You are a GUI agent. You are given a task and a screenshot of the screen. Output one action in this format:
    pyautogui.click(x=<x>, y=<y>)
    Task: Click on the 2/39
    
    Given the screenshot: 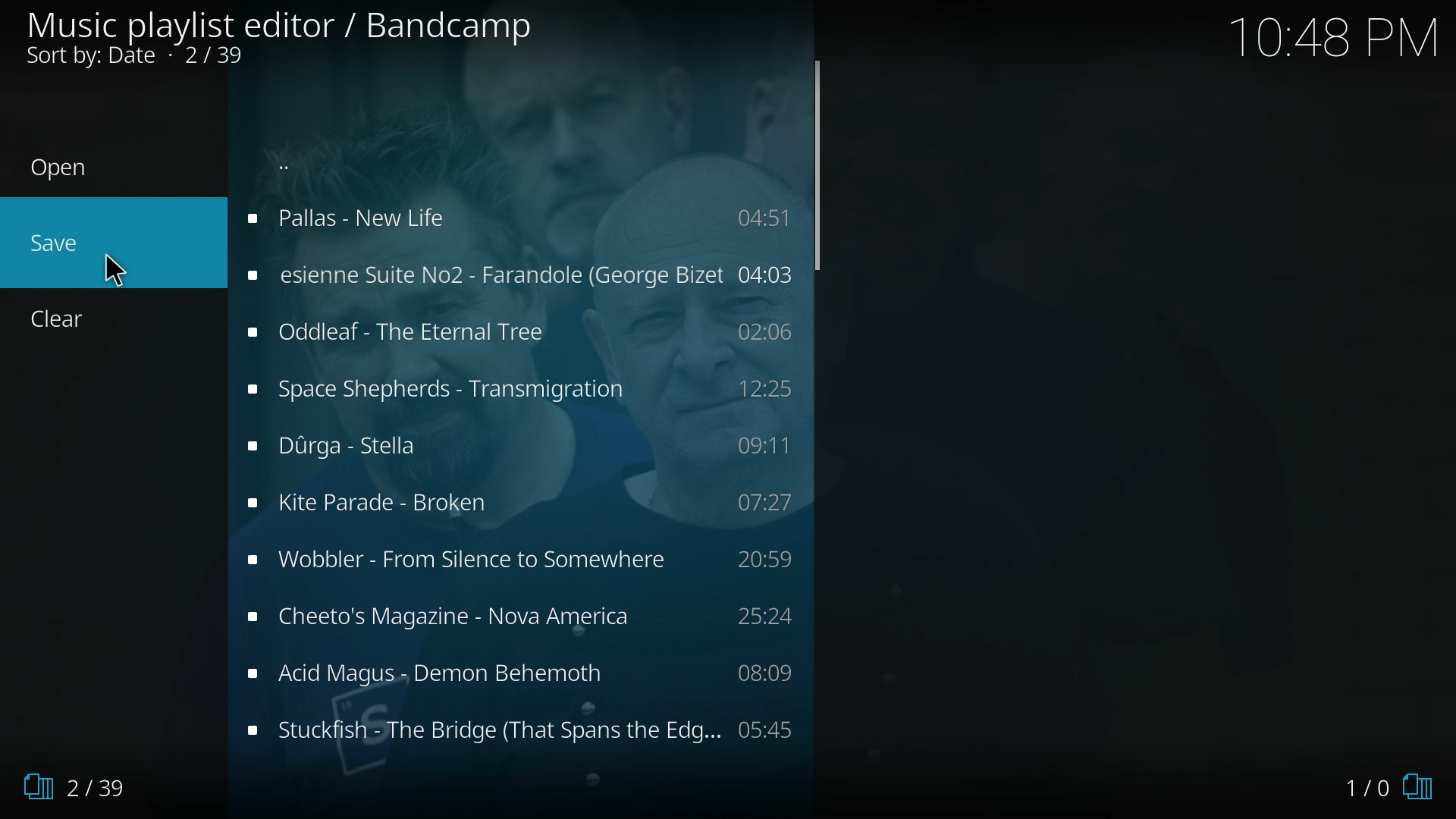 What is the action you would take?
    pyautogui.click(x=82, y=786)
    